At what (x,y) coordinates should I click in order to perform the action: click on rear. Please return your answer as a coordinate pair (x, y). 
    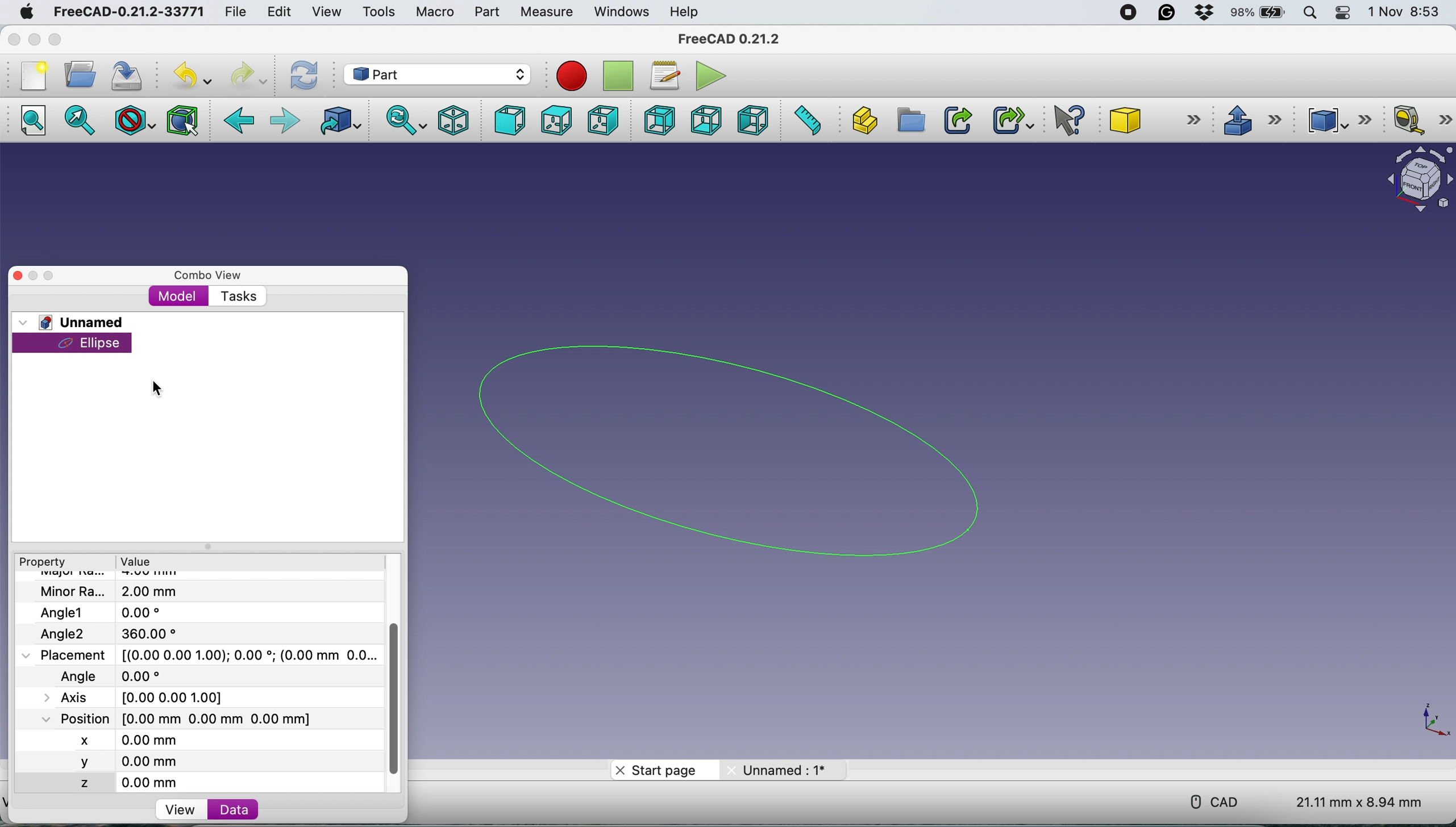
    Looking at the image, I should click on (661, 119).